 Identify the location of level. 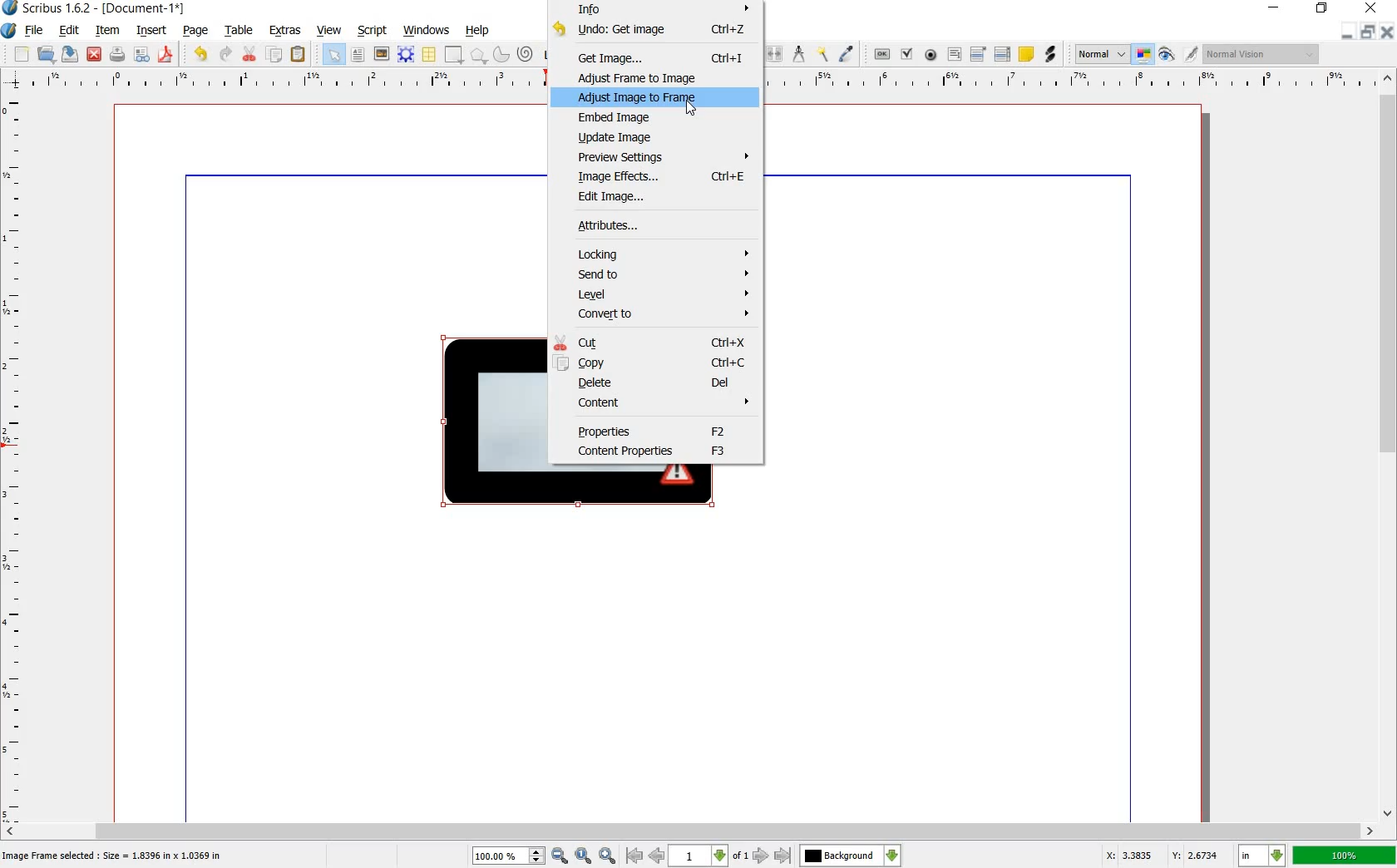
(664, 296).